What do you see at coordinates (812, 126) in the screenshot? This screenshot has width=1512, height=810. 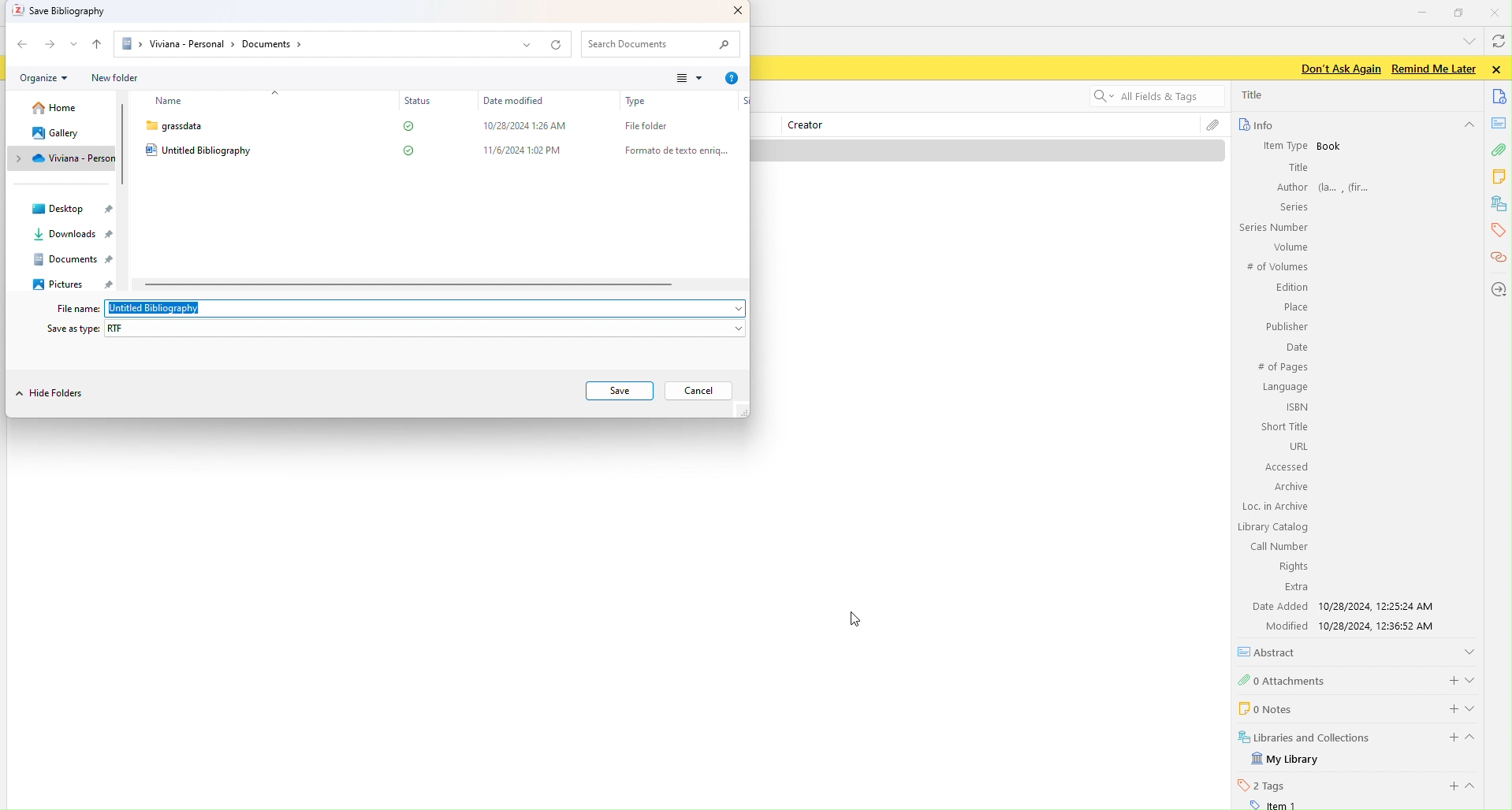 I see `Creator` at bounding box center [812, 126].